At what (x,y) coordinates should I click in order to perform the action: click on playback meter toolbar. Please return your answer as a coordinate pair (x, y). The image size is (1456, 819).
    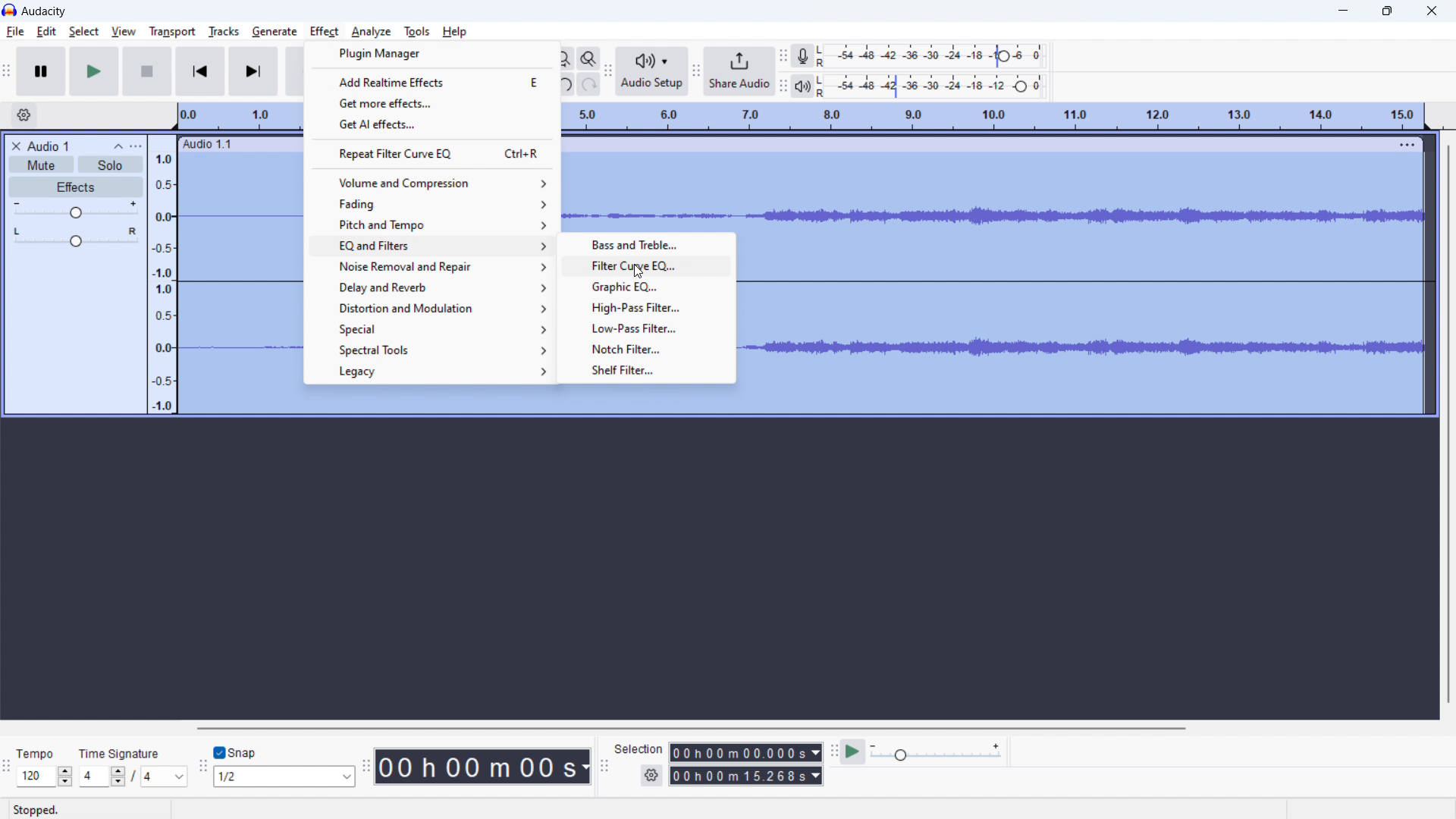
    Looking at the image, I should click on (783, 87).